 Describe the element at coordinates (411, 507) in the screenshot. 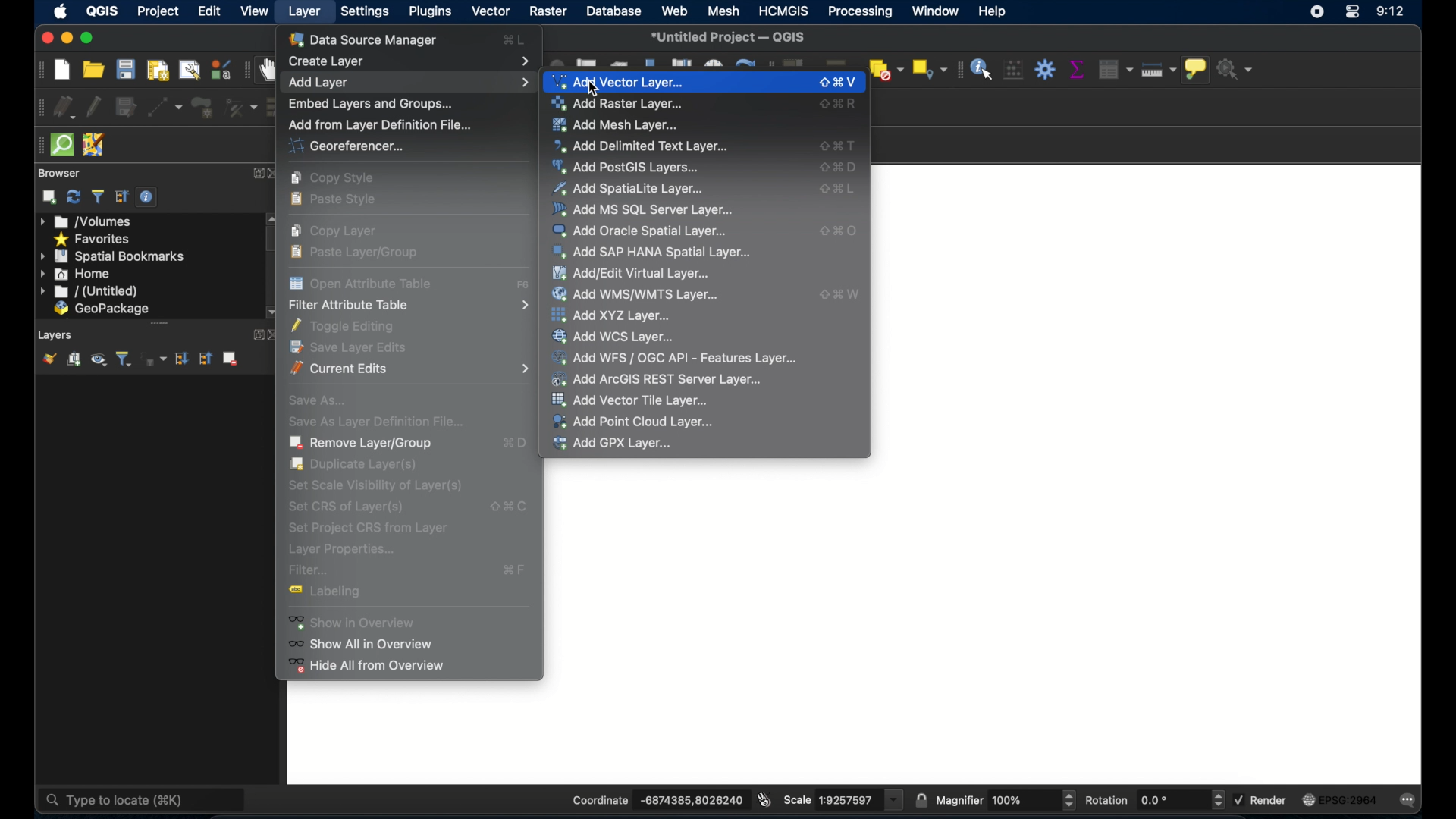

I see `Set CRS of Layer(s)` at that location.